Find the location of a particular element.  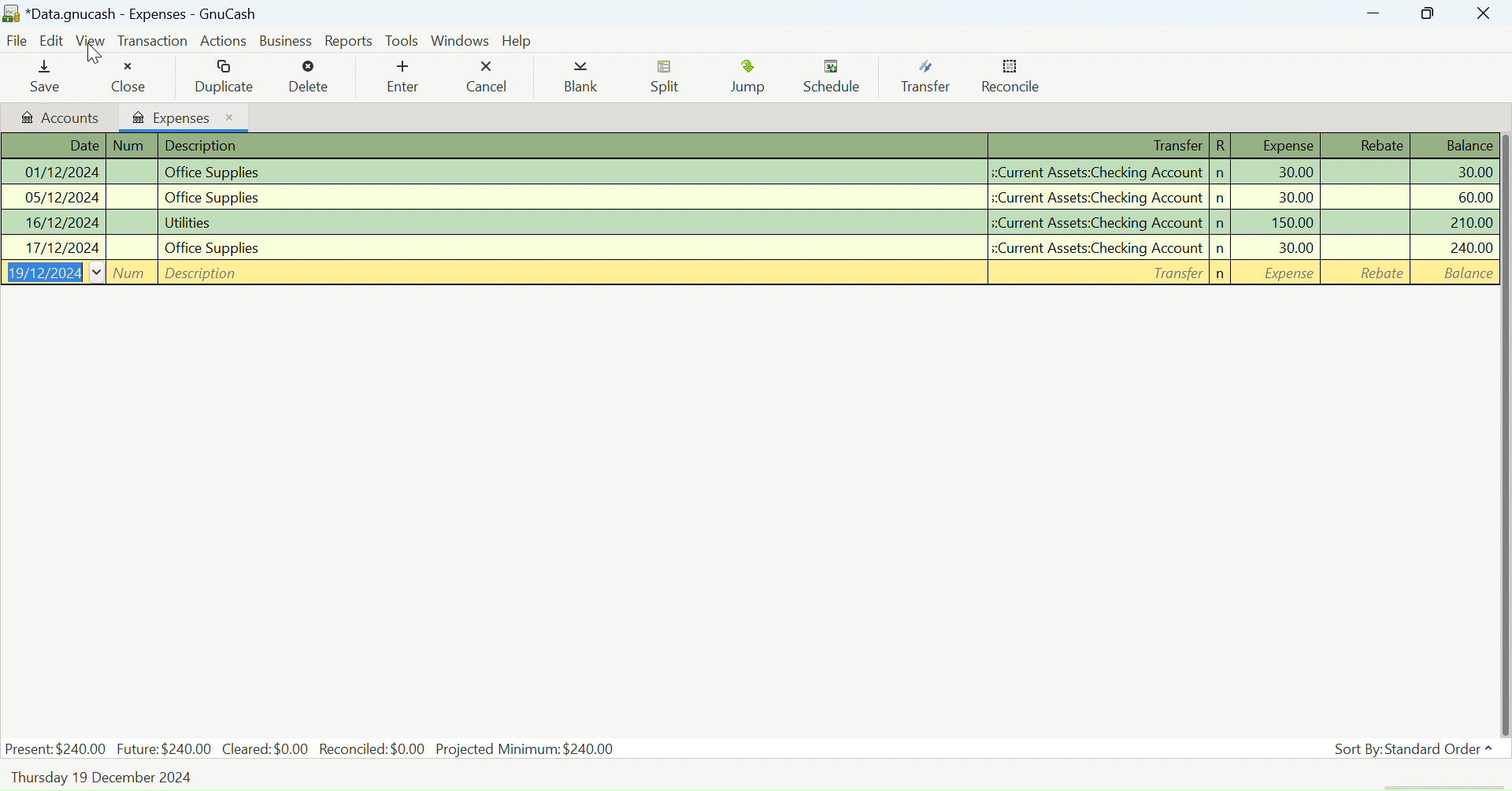

Cancel is located at coordinates (486, 77).